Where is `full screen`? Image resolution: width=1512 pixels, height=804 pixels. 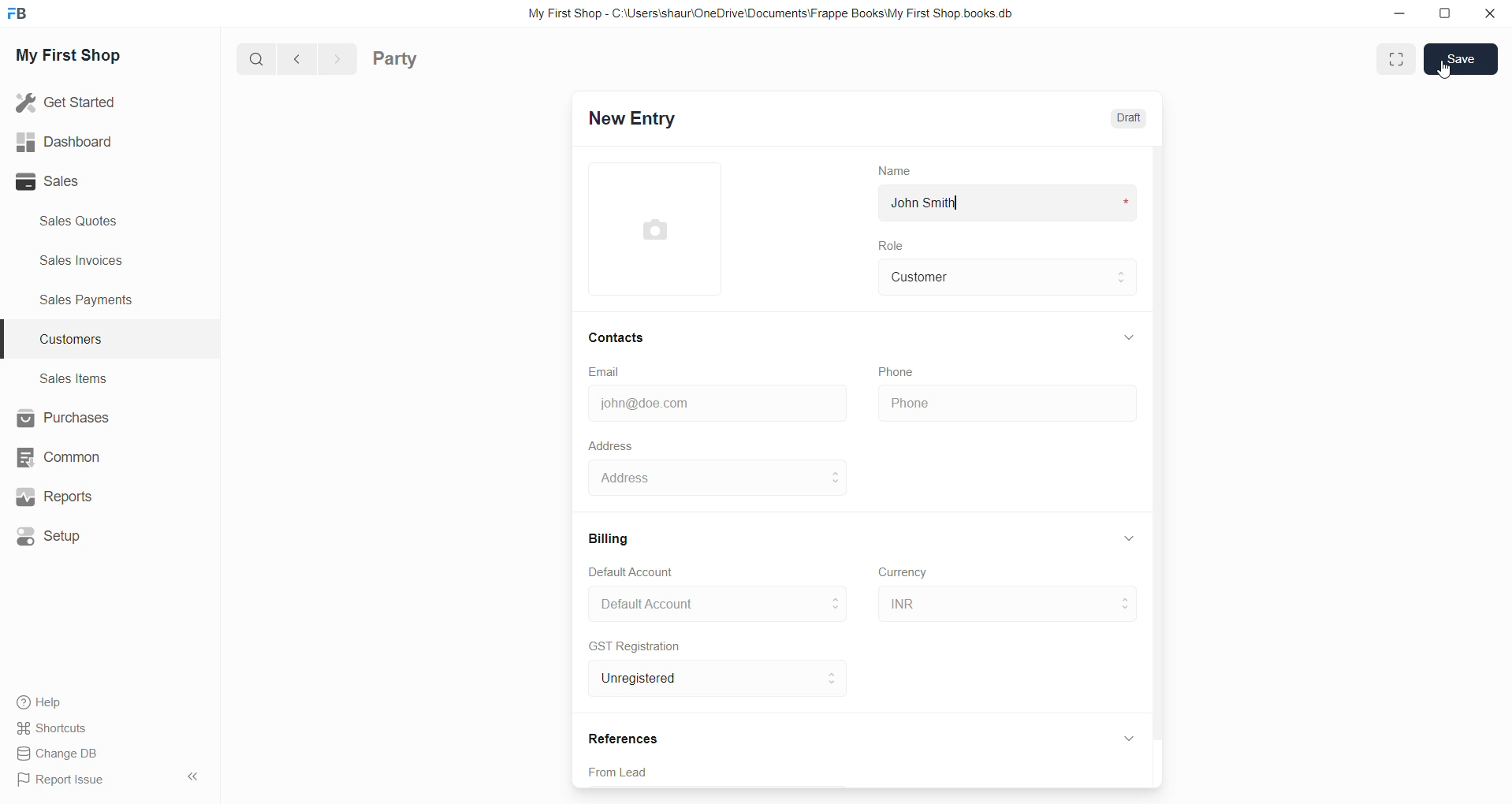 full screen is located at coordinates (1397, 60).